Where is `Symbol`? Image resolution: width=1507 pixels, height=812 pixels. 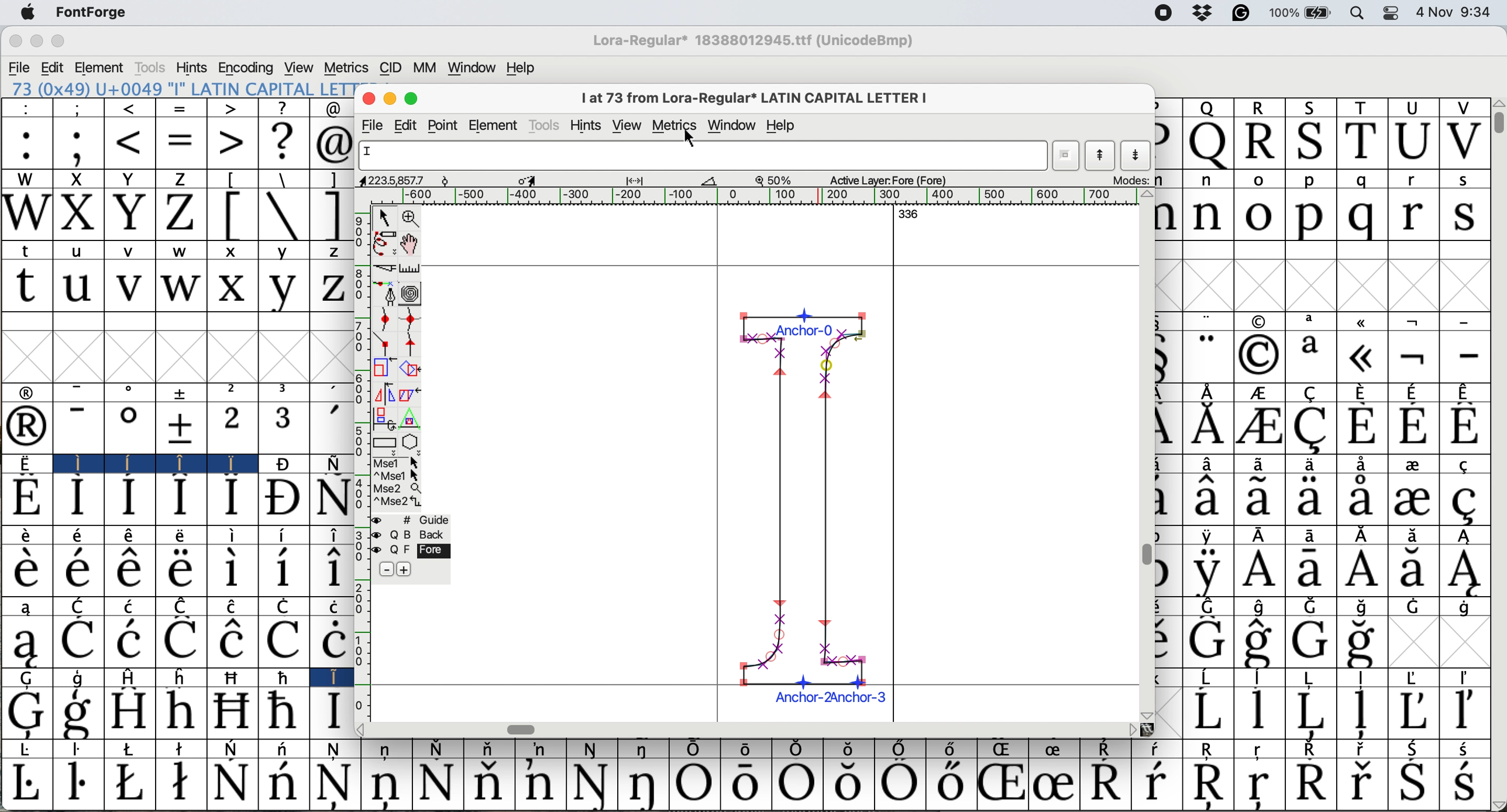 Symbol is located at coordinates (77, 569).